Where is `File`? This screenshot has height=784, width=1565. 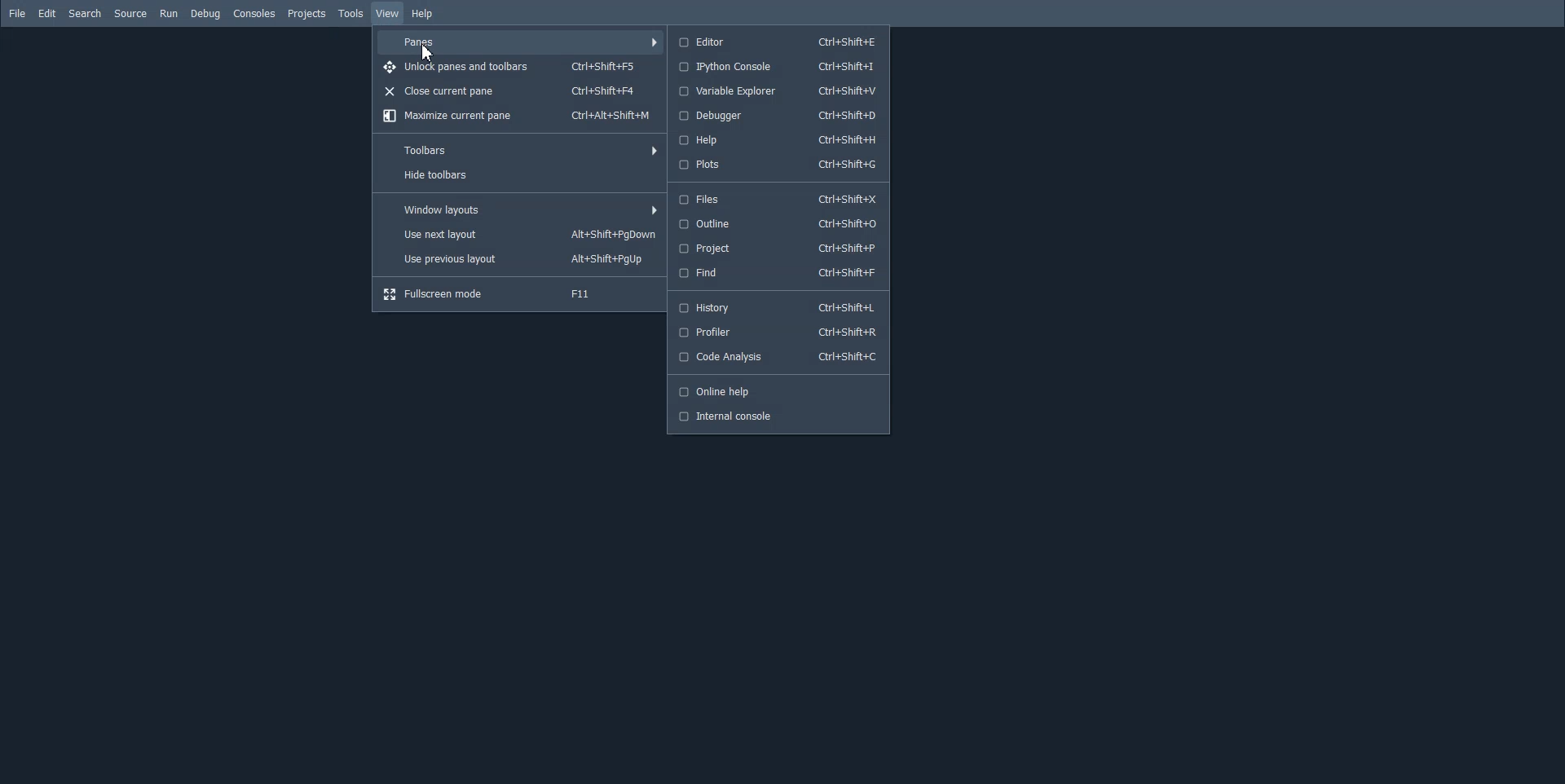 File is located at coordinates (16, 13).